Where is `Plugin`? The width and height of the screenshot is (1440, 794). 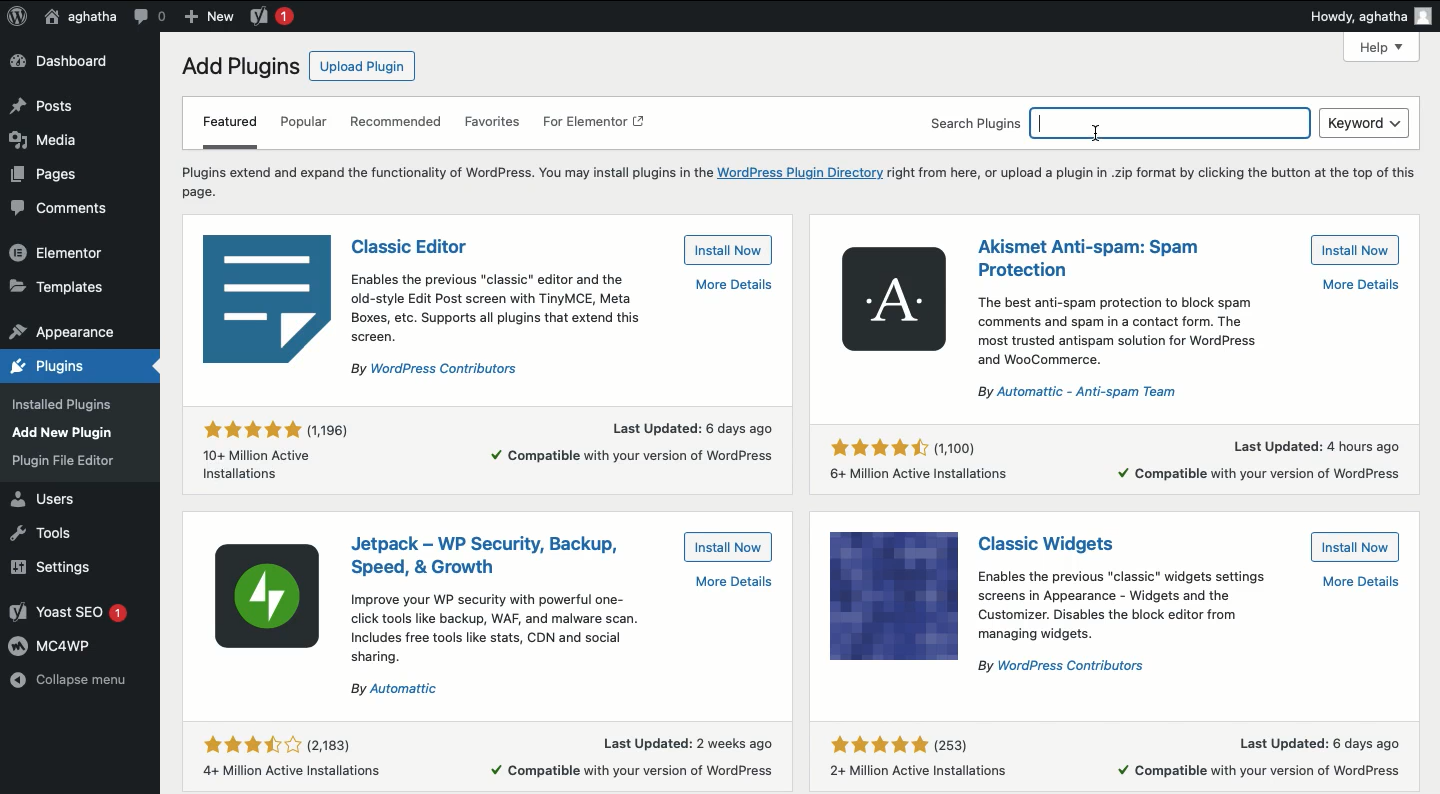
Plugin is located at coordinates (412, 244).